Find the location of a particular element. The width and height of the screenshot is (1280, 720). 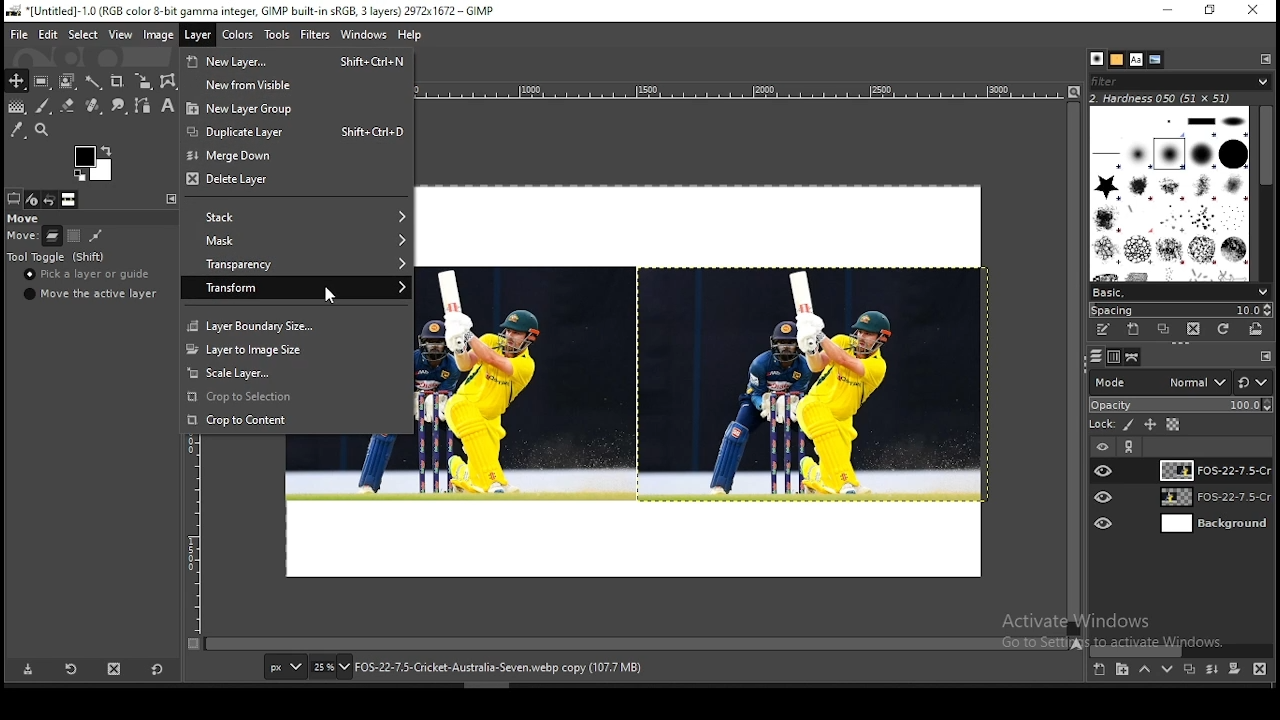

image (duplicate) is located at coordinates (811, 386).